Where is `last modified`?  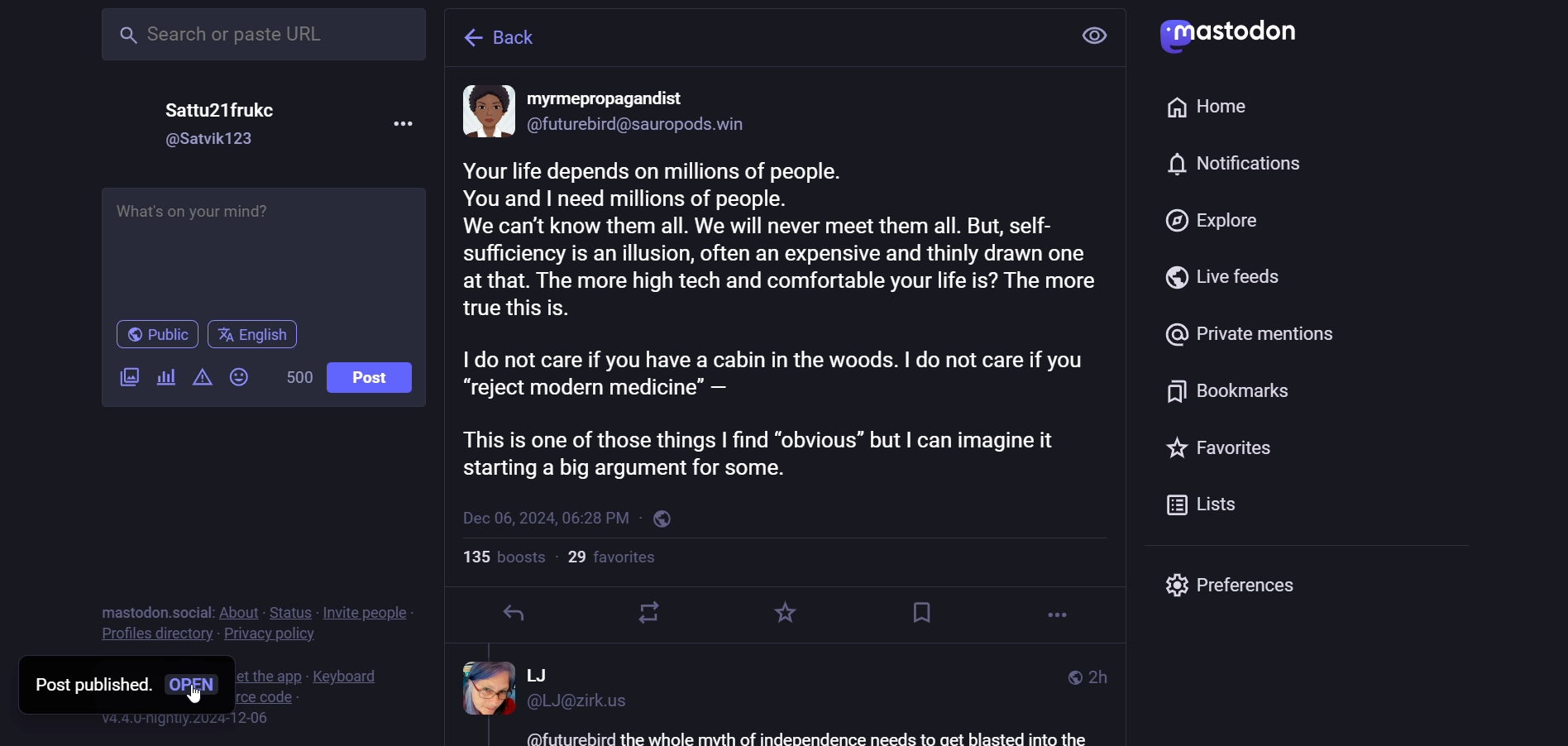 last modified is located at coordinates (545, 519).